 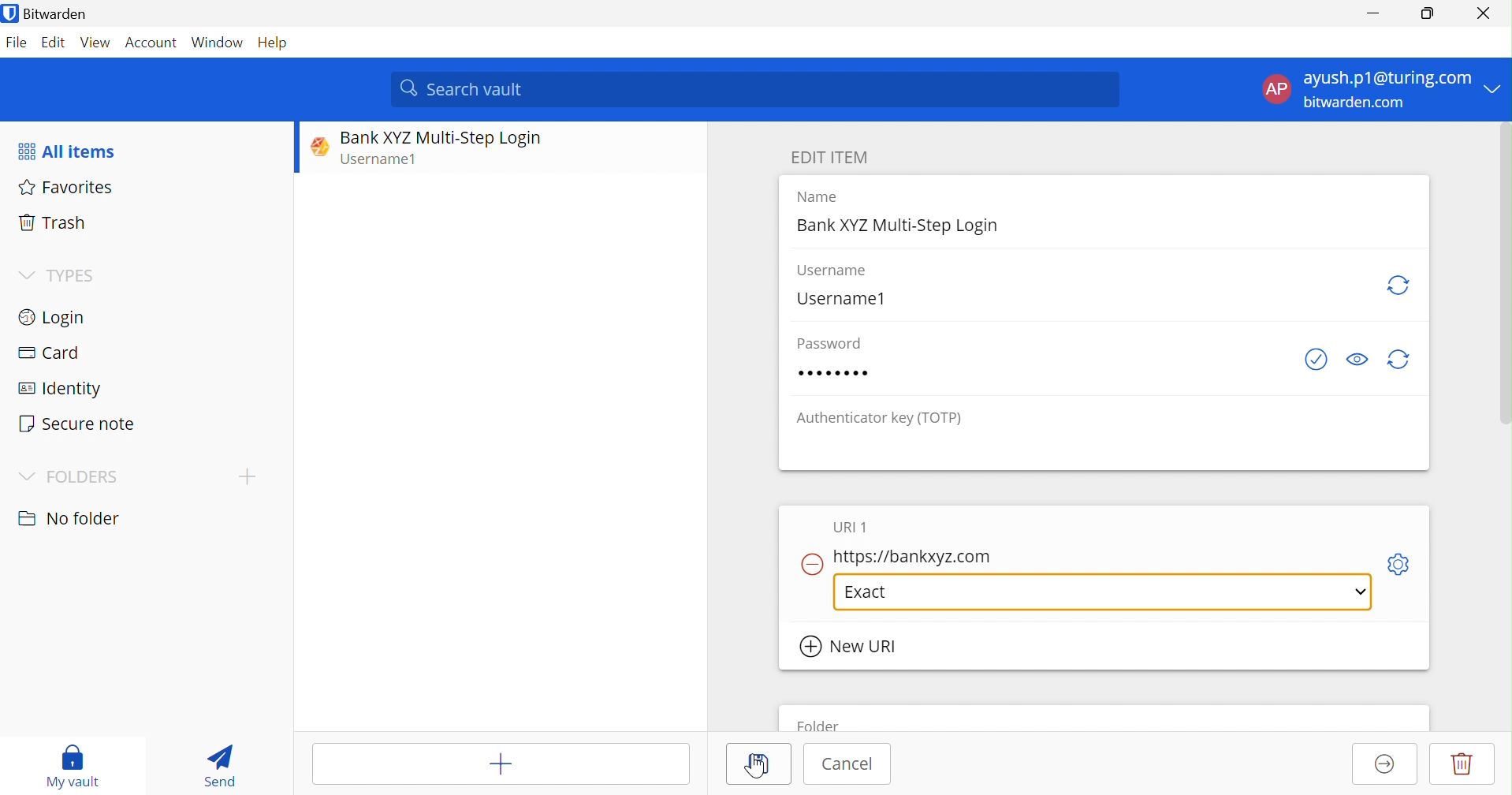 I want to click on Toggle visibility, so click(x=1357, y=360).